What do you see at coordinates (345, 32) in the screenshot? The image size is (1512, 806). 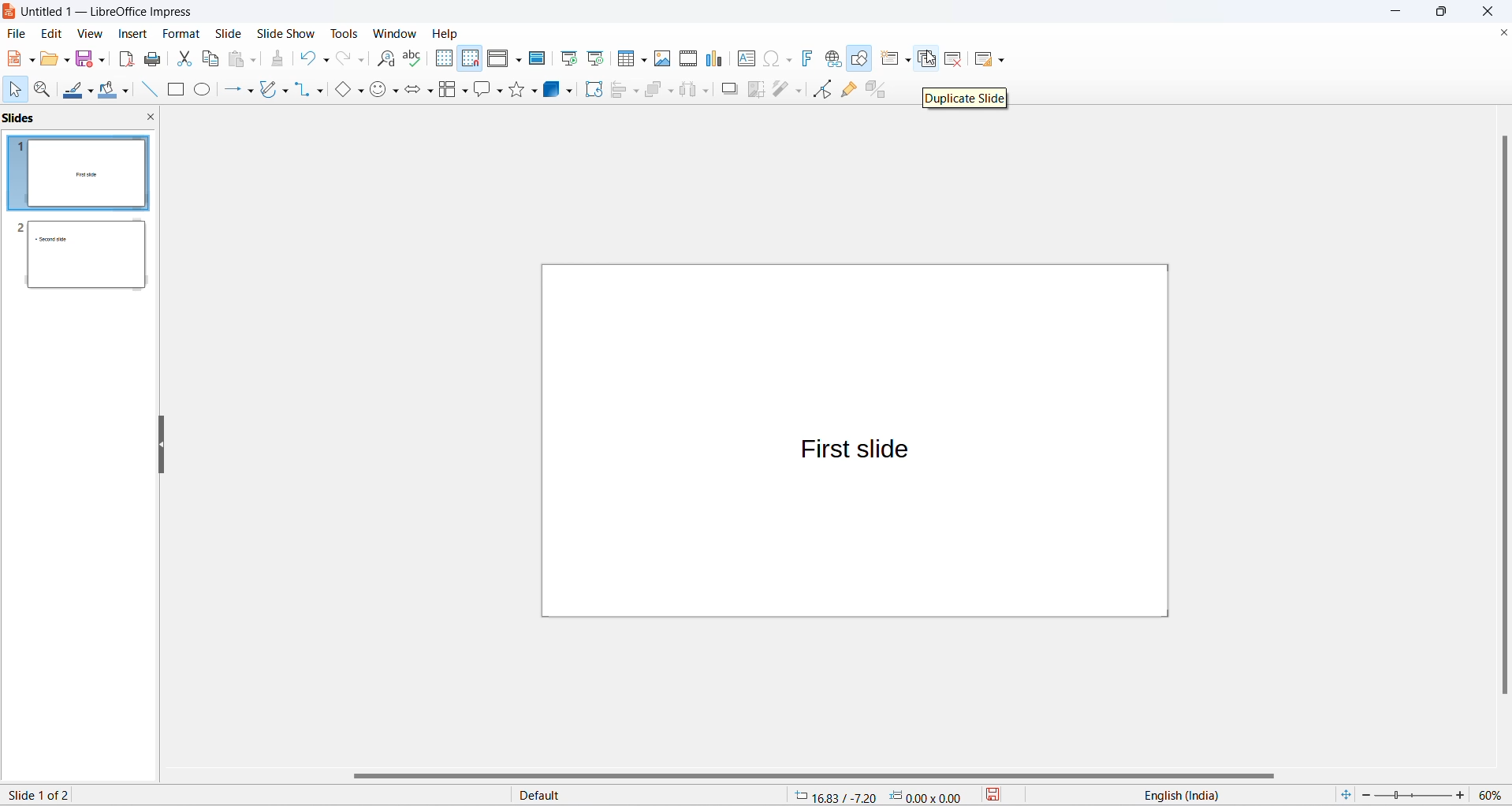 I see `tools` at bounding box center [345, 32].